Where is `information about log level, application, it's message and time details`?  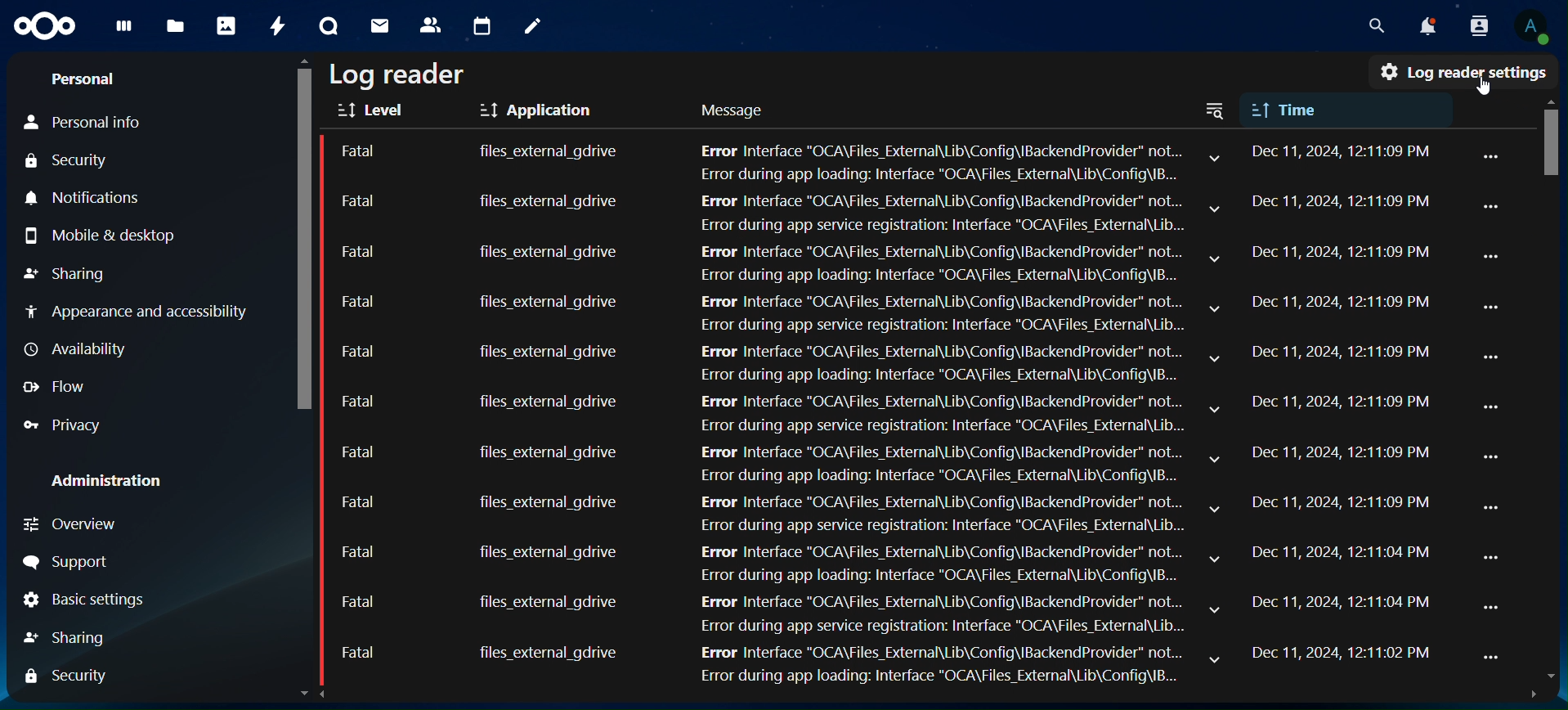
information about log level, application, it's message and time details is located at coordinates (889, 461).